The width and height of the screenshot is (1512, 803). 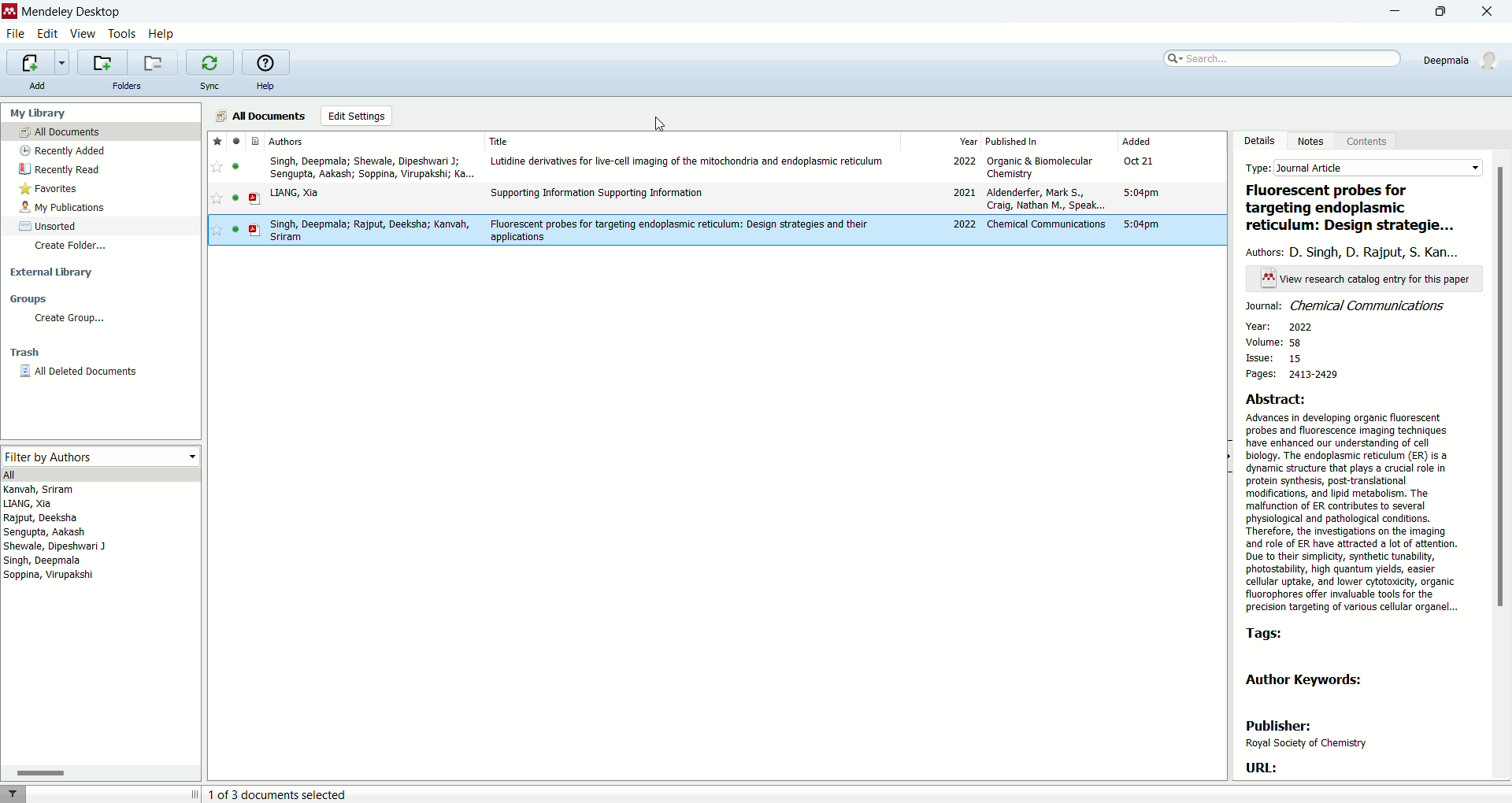 I want to click on favorite, so click(x=219, y=231).